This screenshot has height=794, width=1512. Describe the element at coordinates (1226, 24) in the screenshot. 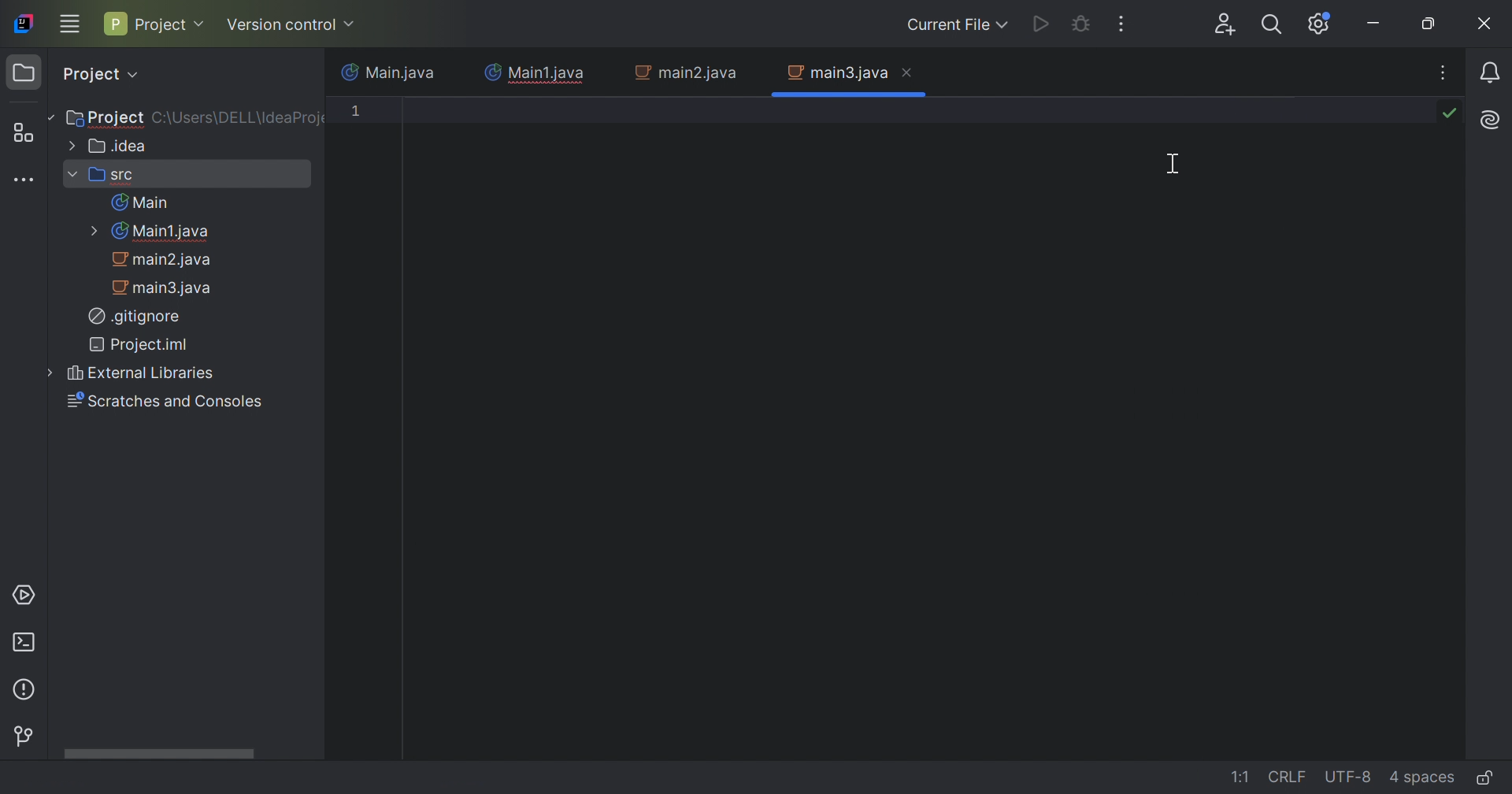

I see `Code with me` at that location.